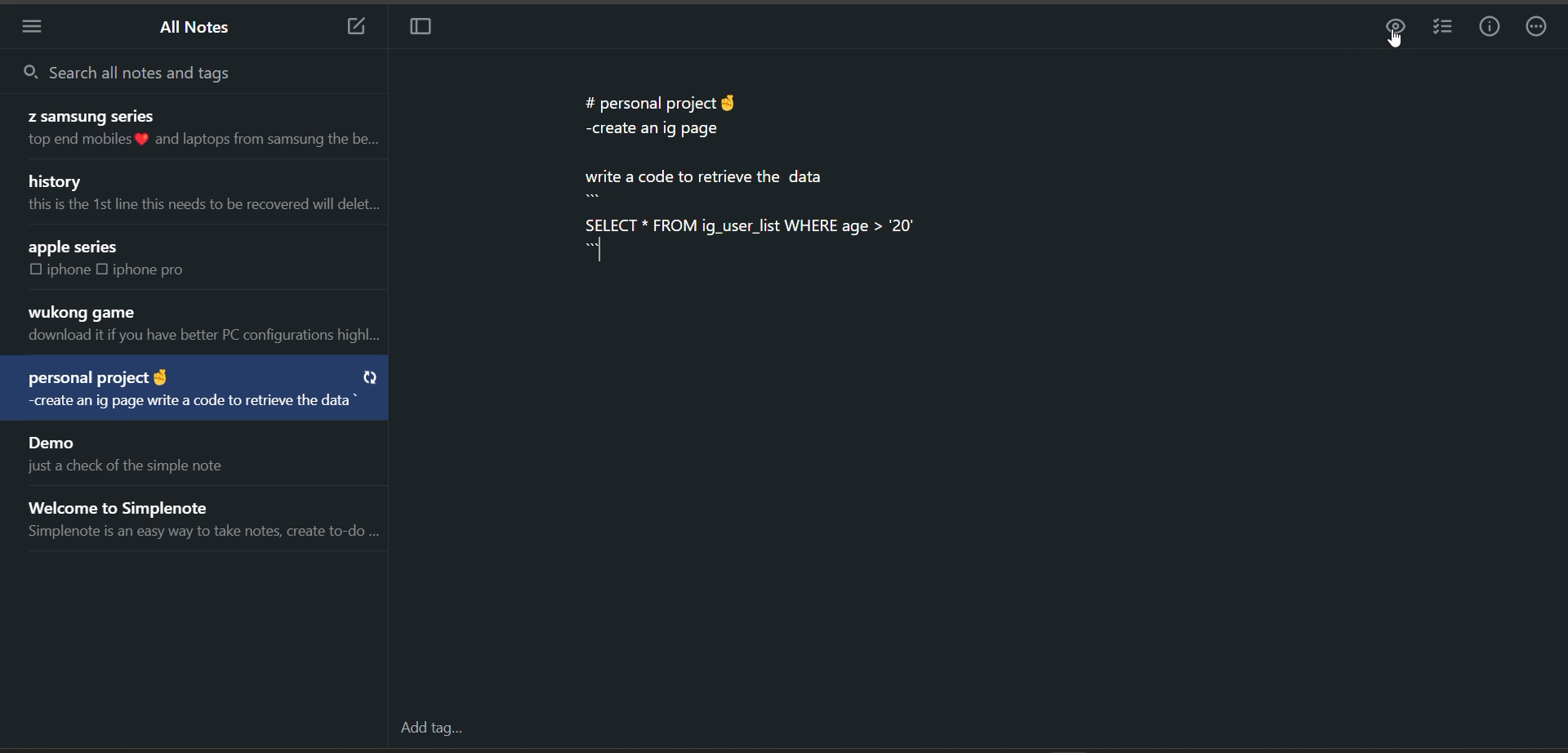 This screenshot has width=1568, height=753. Describe the element at coordinates (425, 30) in the screenshot. I see `toggle focus mode` at that location.